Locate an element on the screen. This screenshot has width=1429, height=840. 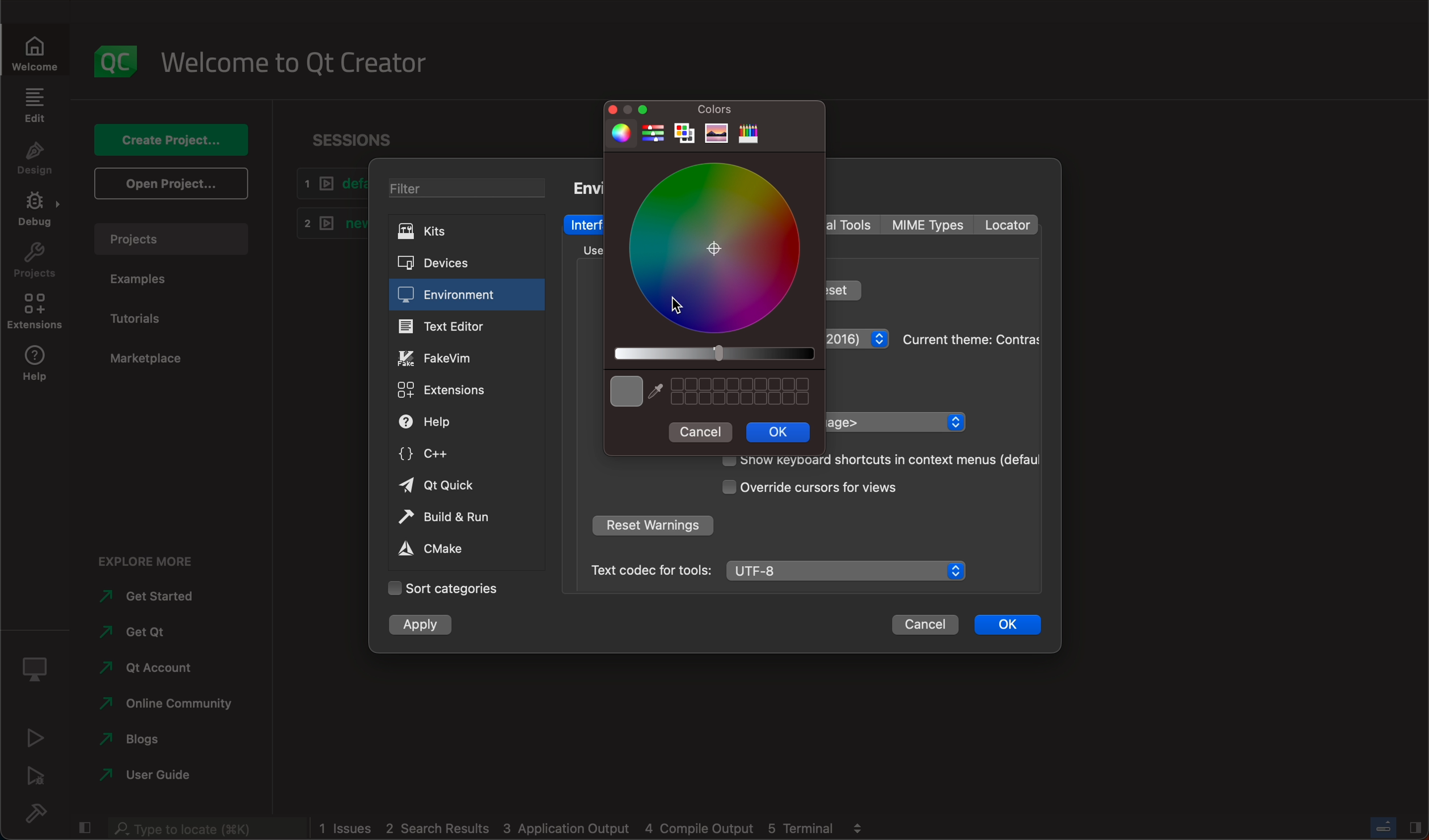
qt is located at coordinates (461, 486).